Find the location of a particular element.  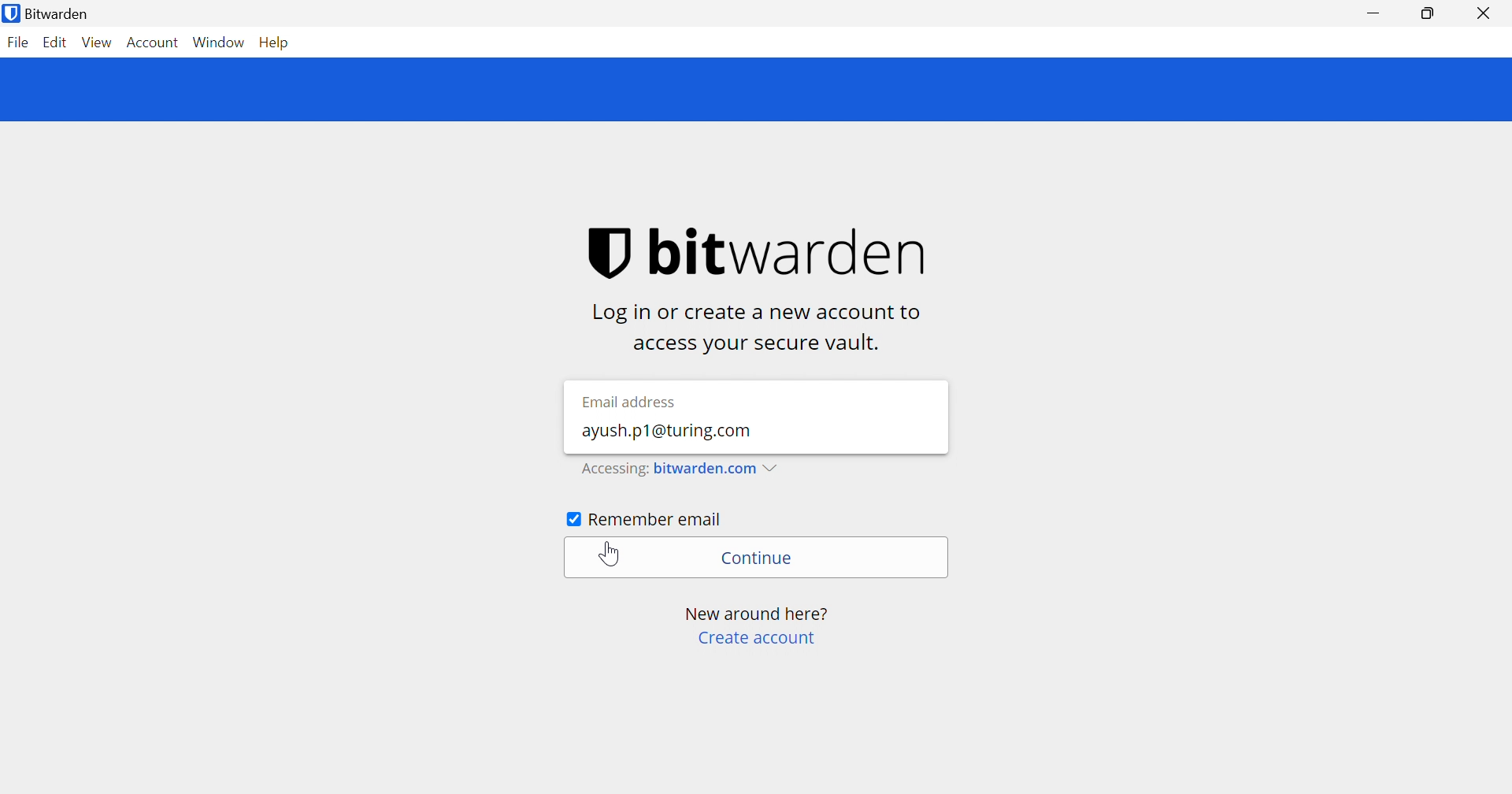

create account is located at coordinates (755, 638).